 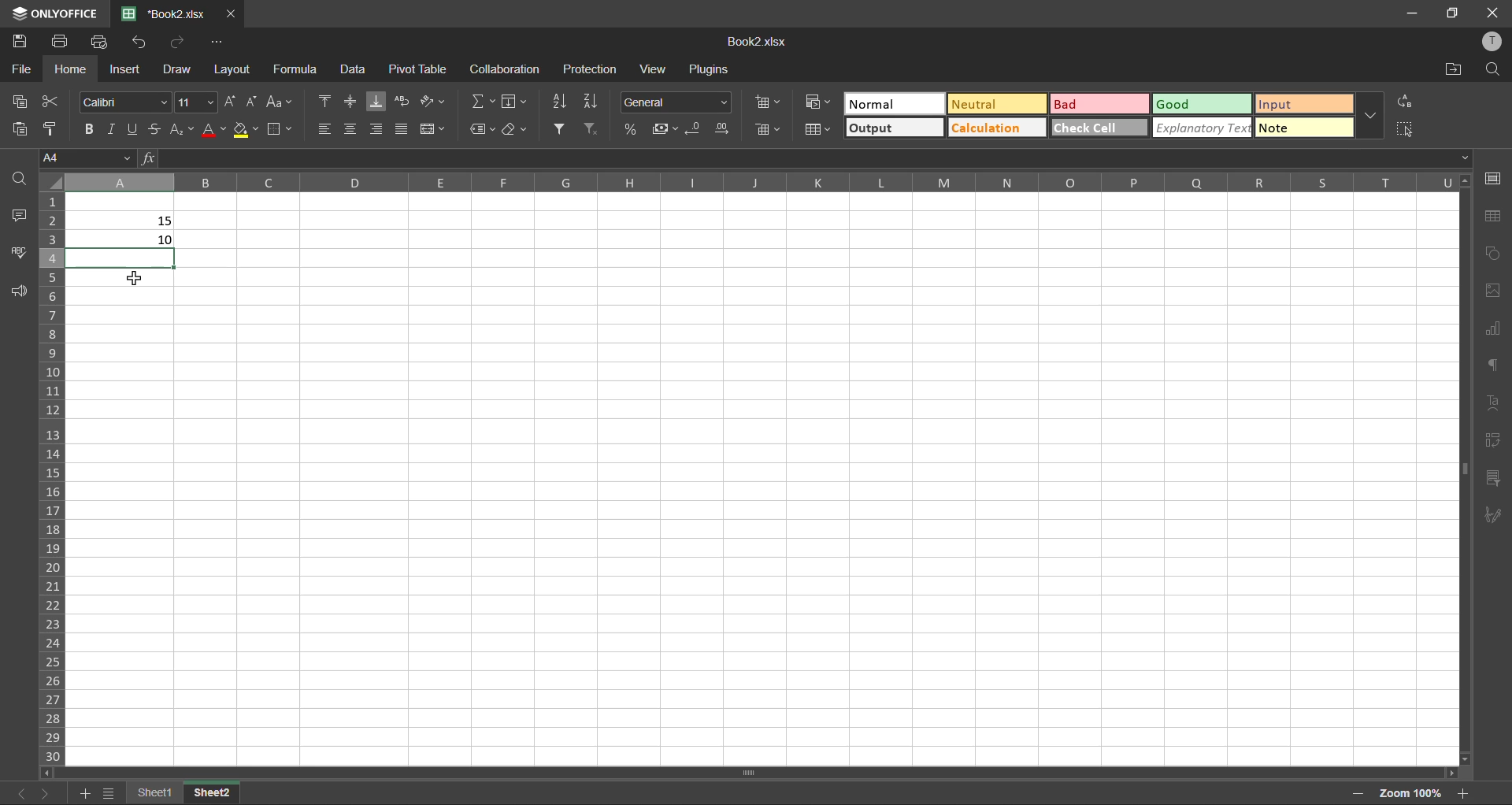 I want to click on increase decimal, so click(x=724, y=129).